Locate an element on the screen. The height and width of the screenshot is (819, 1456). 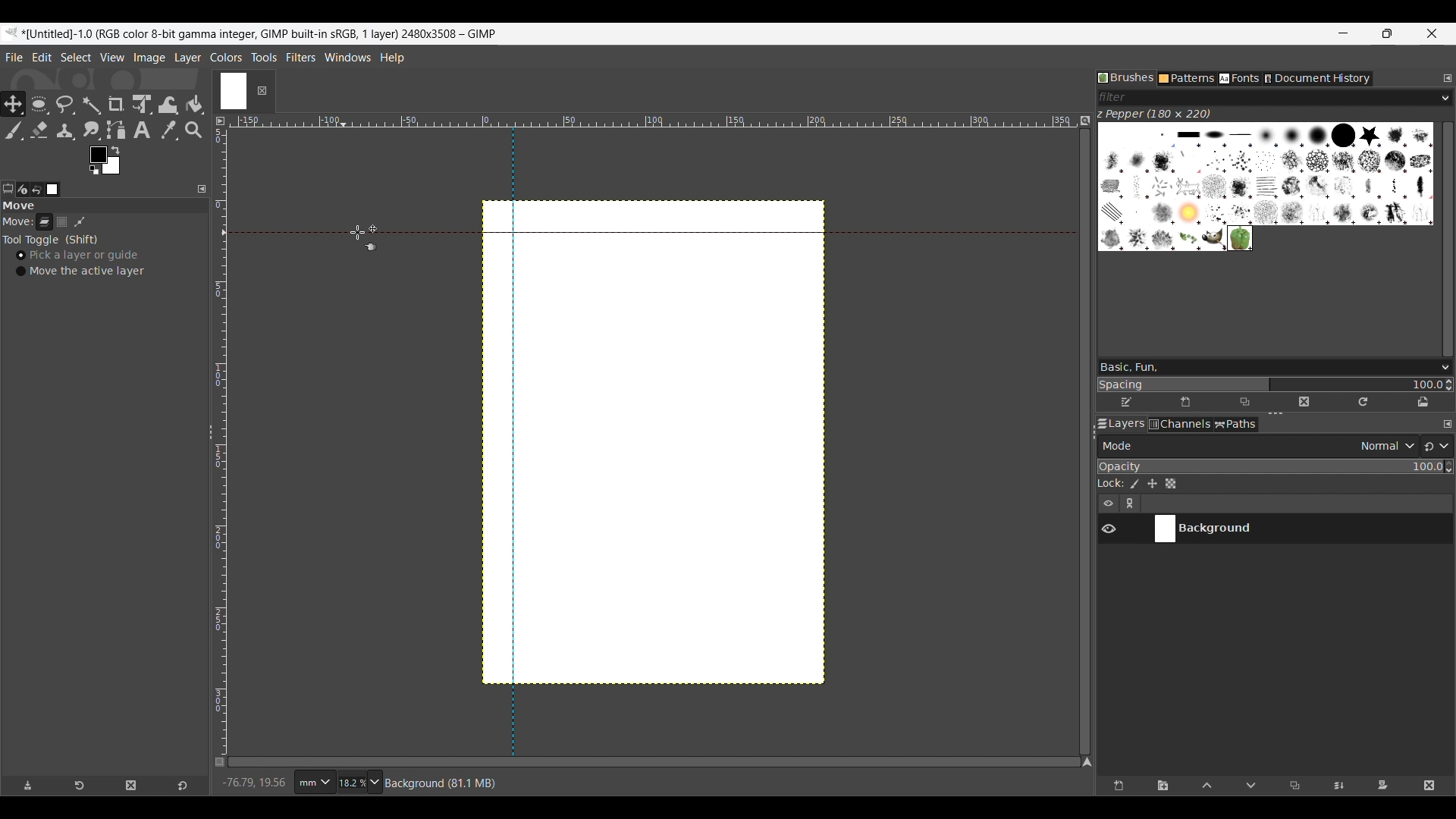
Current zoom factor is located at coordinates (351, 783).